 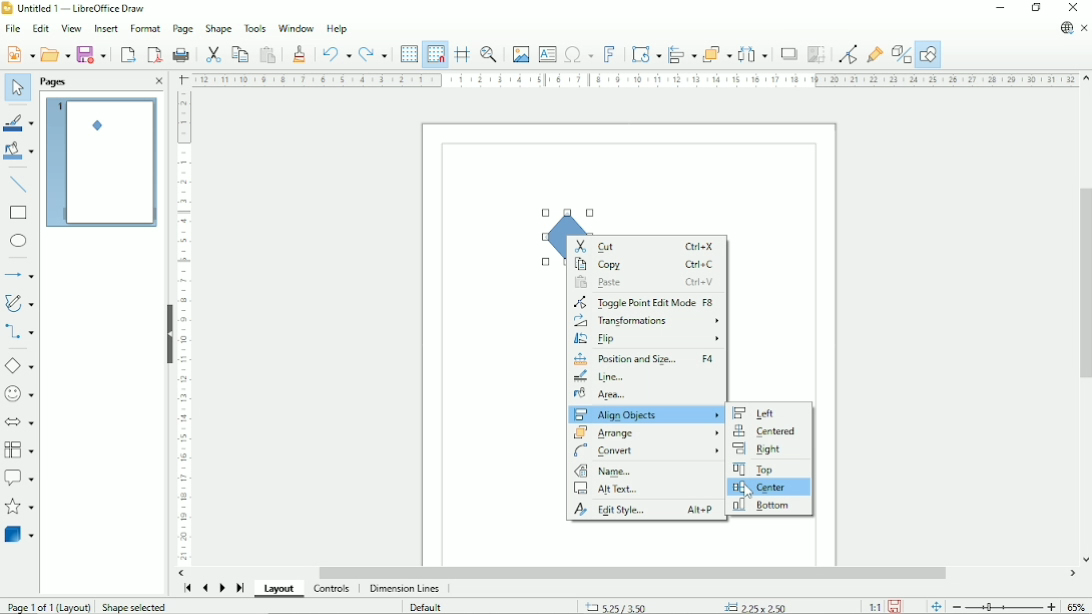 What do you see at coordinates (20, 54) in the screenshot?
I see `New` at bounding box center [20, 54].